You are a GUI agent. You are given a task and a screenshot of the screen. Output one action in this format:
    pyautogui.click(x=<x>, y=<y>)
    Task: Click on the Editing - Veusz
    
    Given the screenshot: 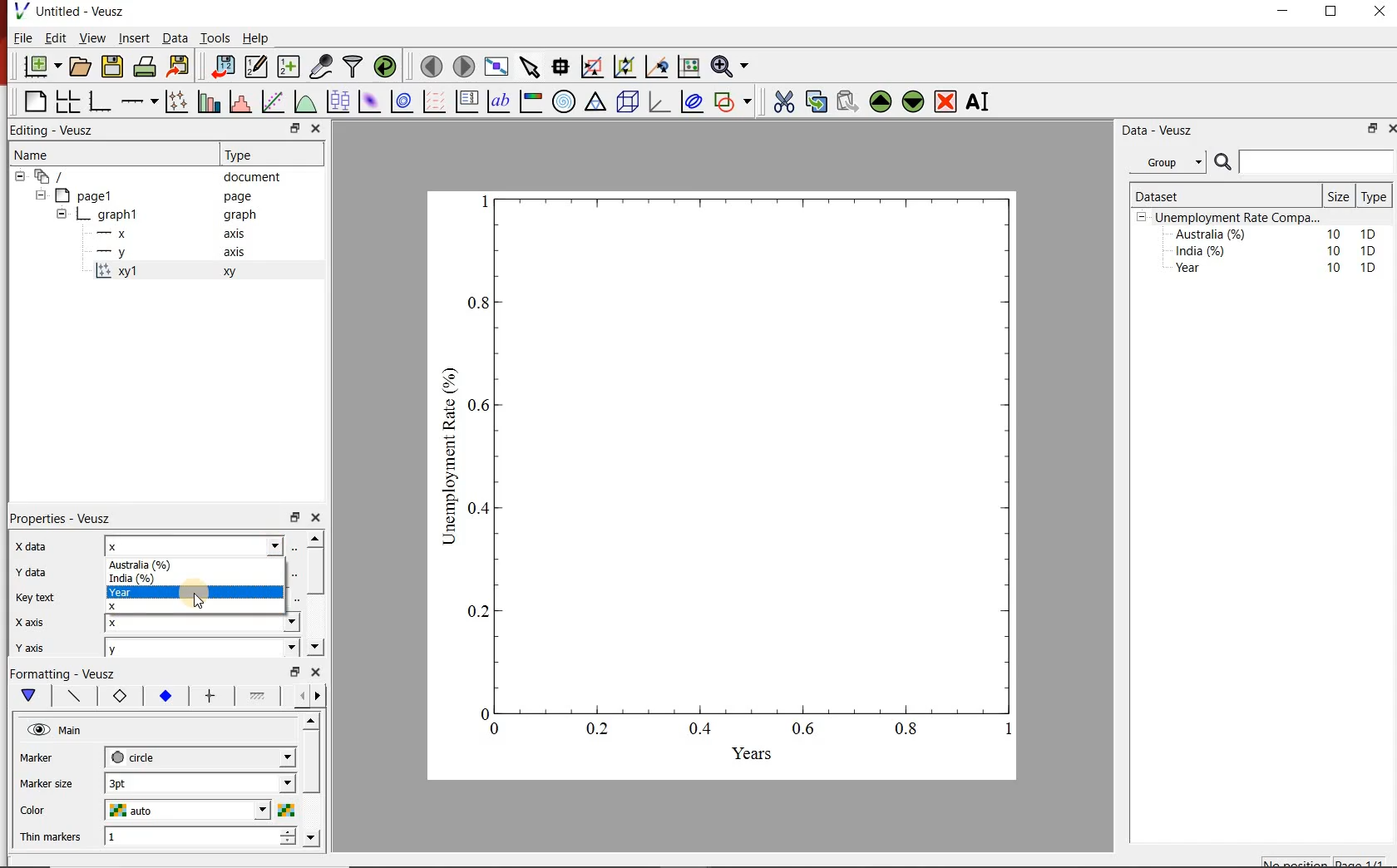 What is the action you would take?
    pyautogui.click(x=55, y=129)
    